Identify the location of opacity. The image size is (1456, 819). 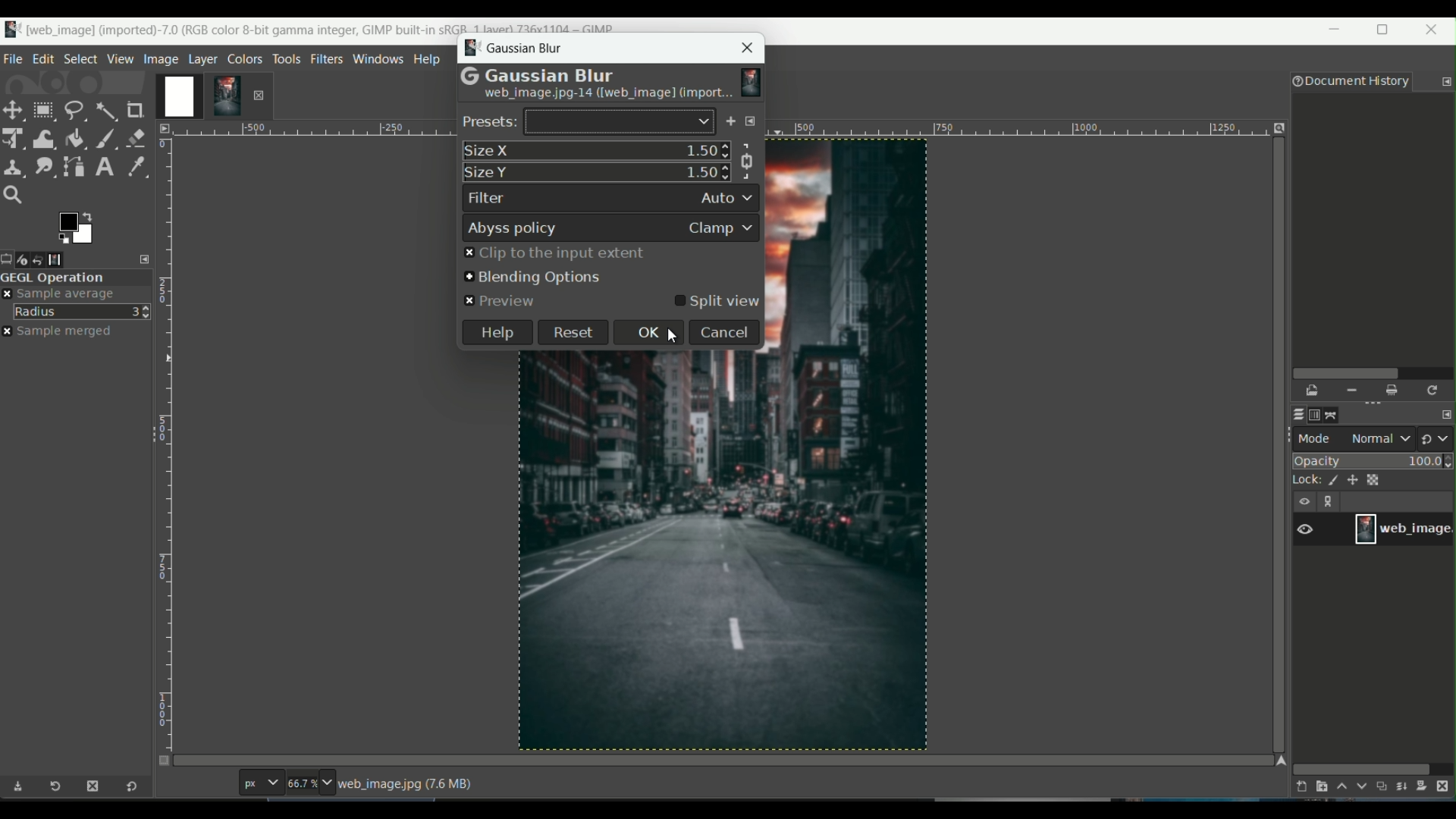
(1374, 460).